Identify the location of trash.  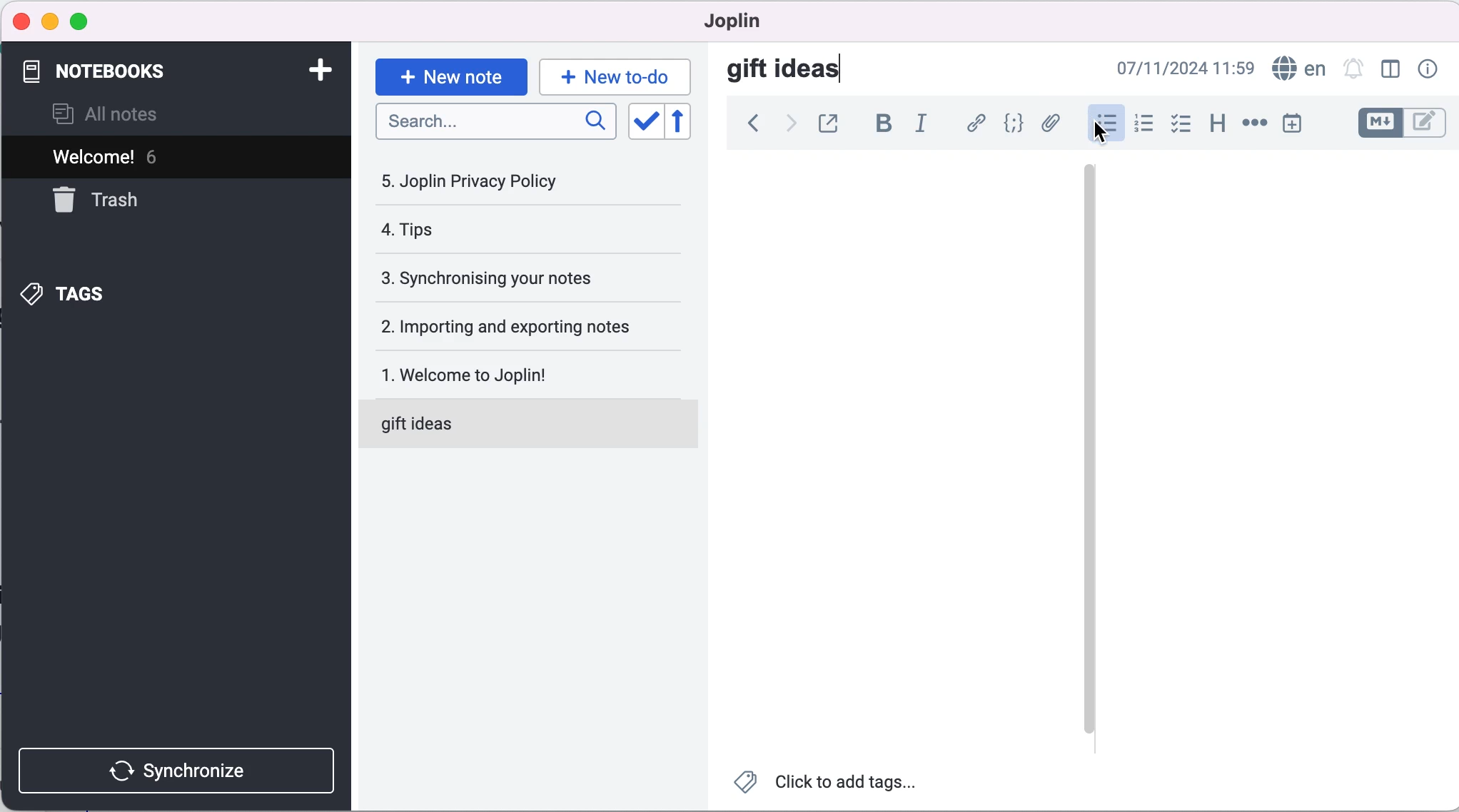
(111, 201).